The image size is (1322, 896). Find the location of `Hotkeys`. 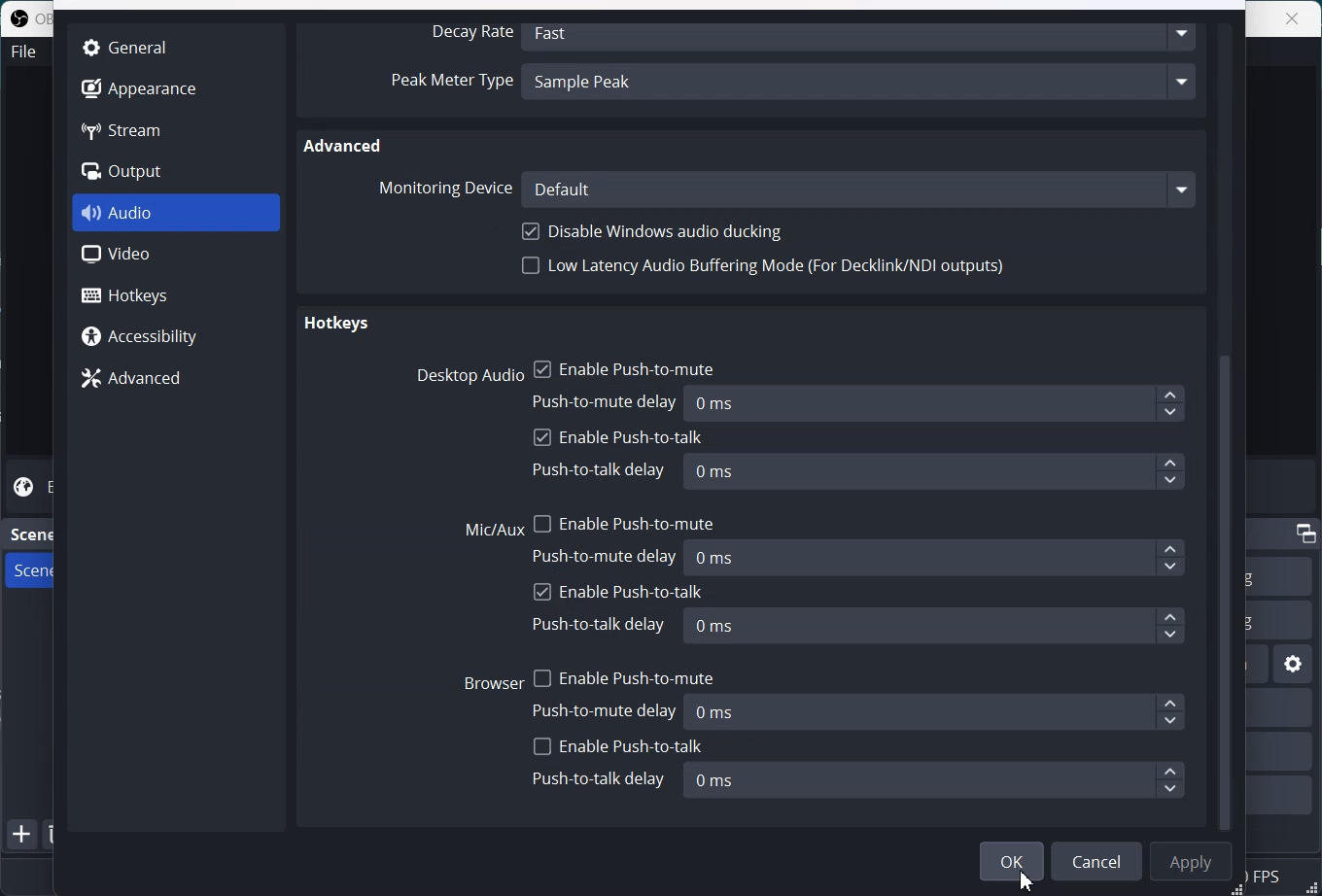

Hotkeys is located at coordinates (177, 293).